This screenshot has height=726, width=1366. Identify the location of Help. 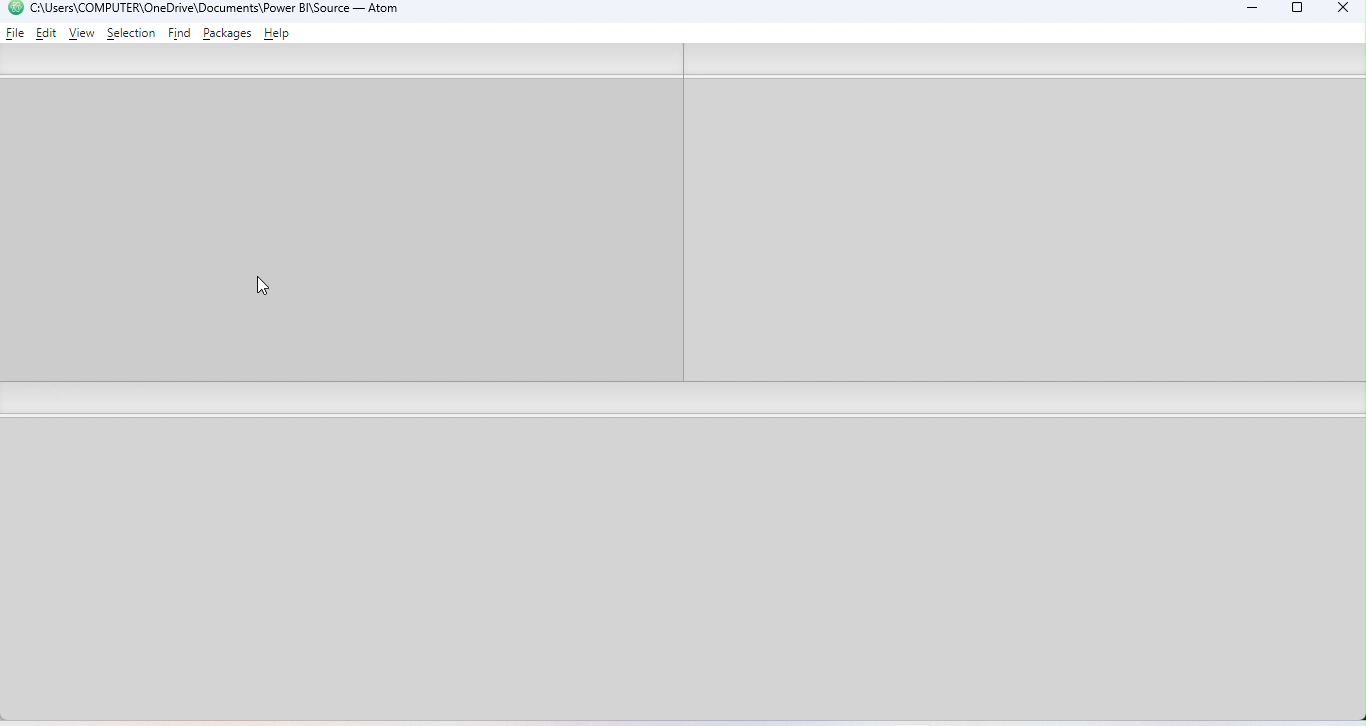
(280, 35).